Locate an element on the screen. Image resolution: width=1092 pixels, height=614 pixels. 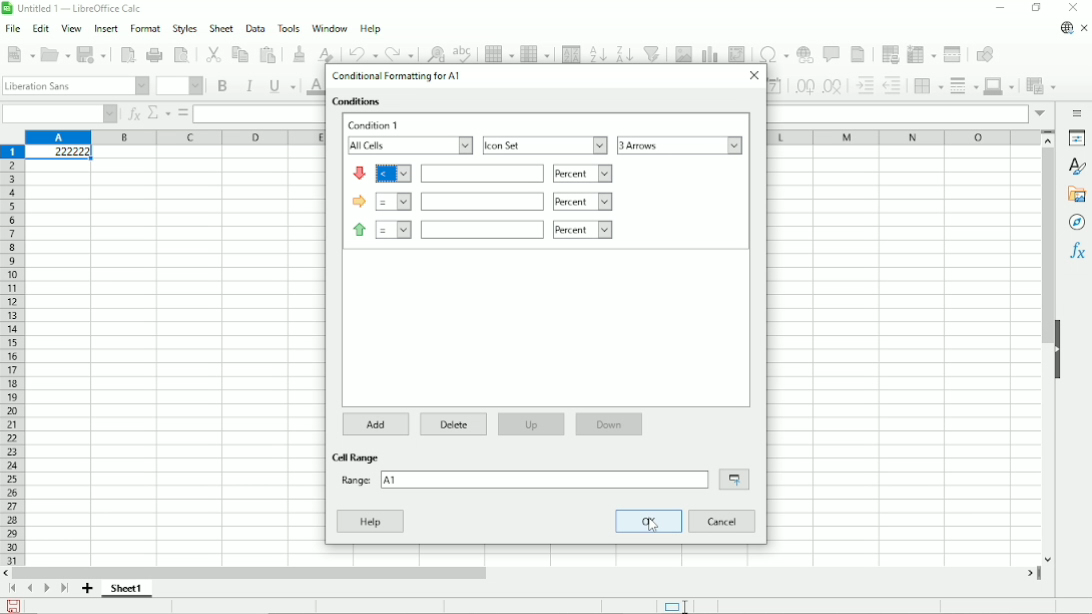
Font size is located at coordinates (178, 86).